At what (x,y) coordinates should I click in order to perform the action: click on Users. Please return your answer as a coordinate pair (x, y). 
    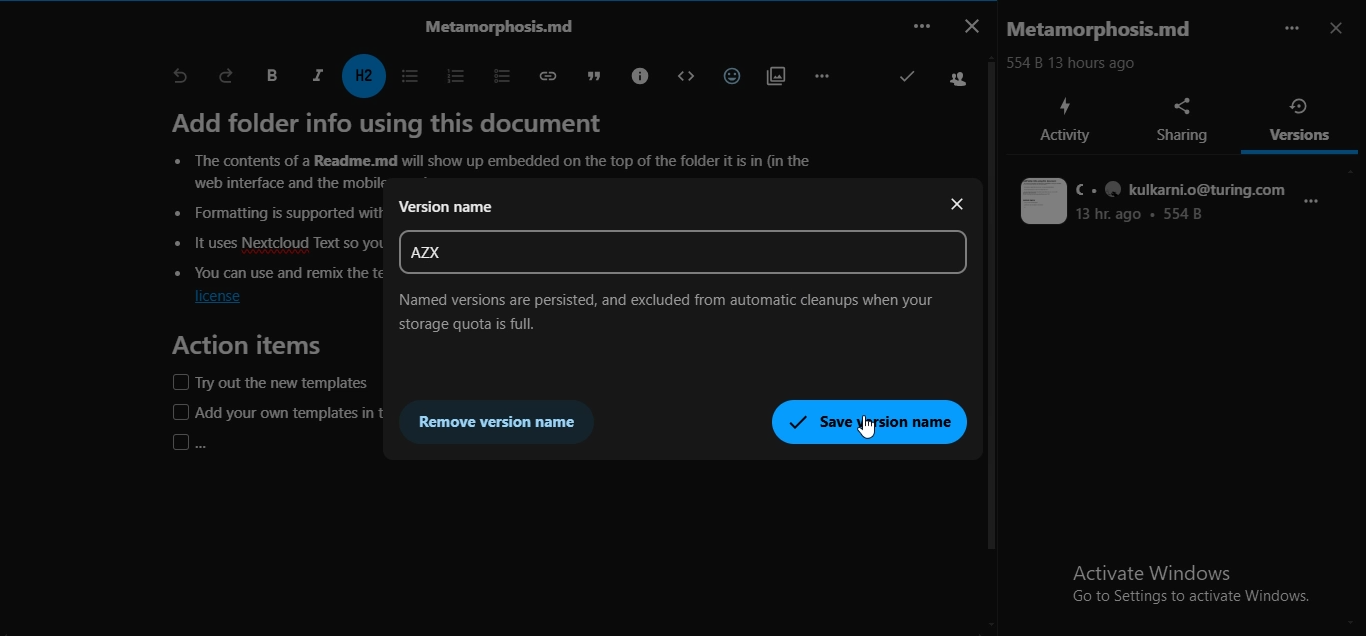
    Looking at the image, I should click on (960, 80).